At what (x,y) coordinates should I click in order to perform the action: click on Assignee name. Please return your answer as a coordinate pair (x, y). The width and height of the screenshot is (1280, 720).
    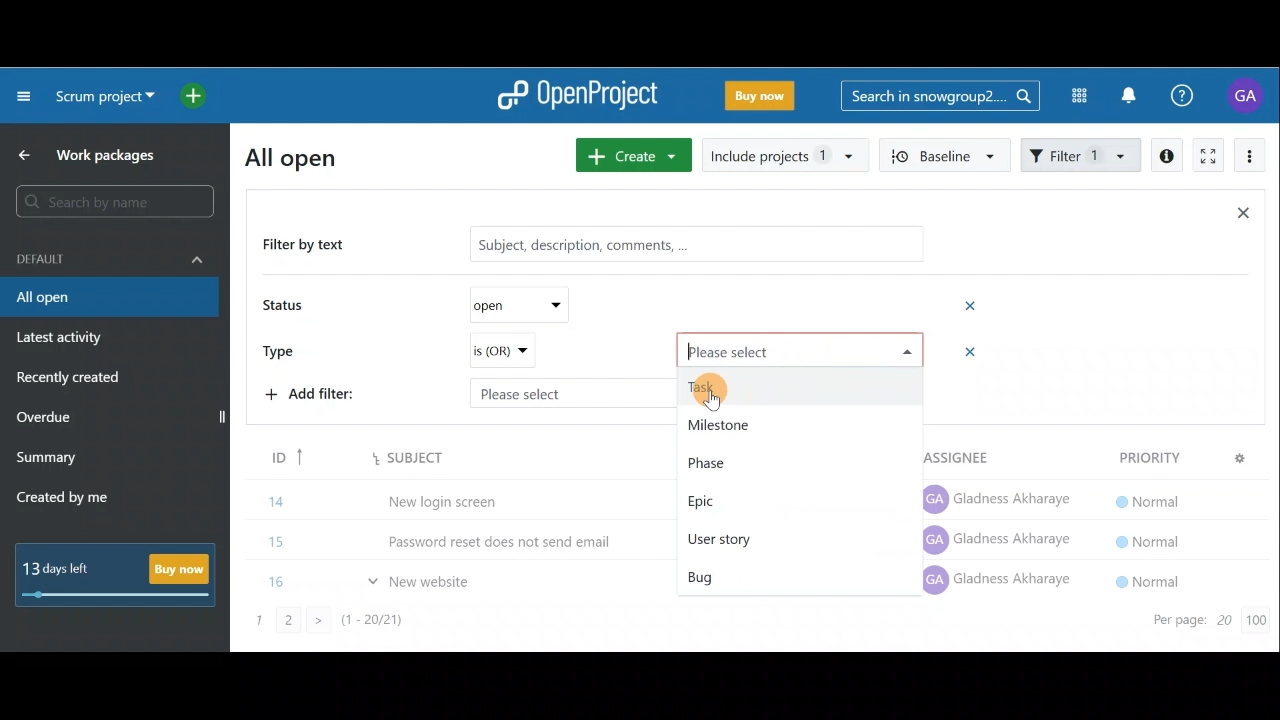
    Looking at the image, I should click on (1001, 541).